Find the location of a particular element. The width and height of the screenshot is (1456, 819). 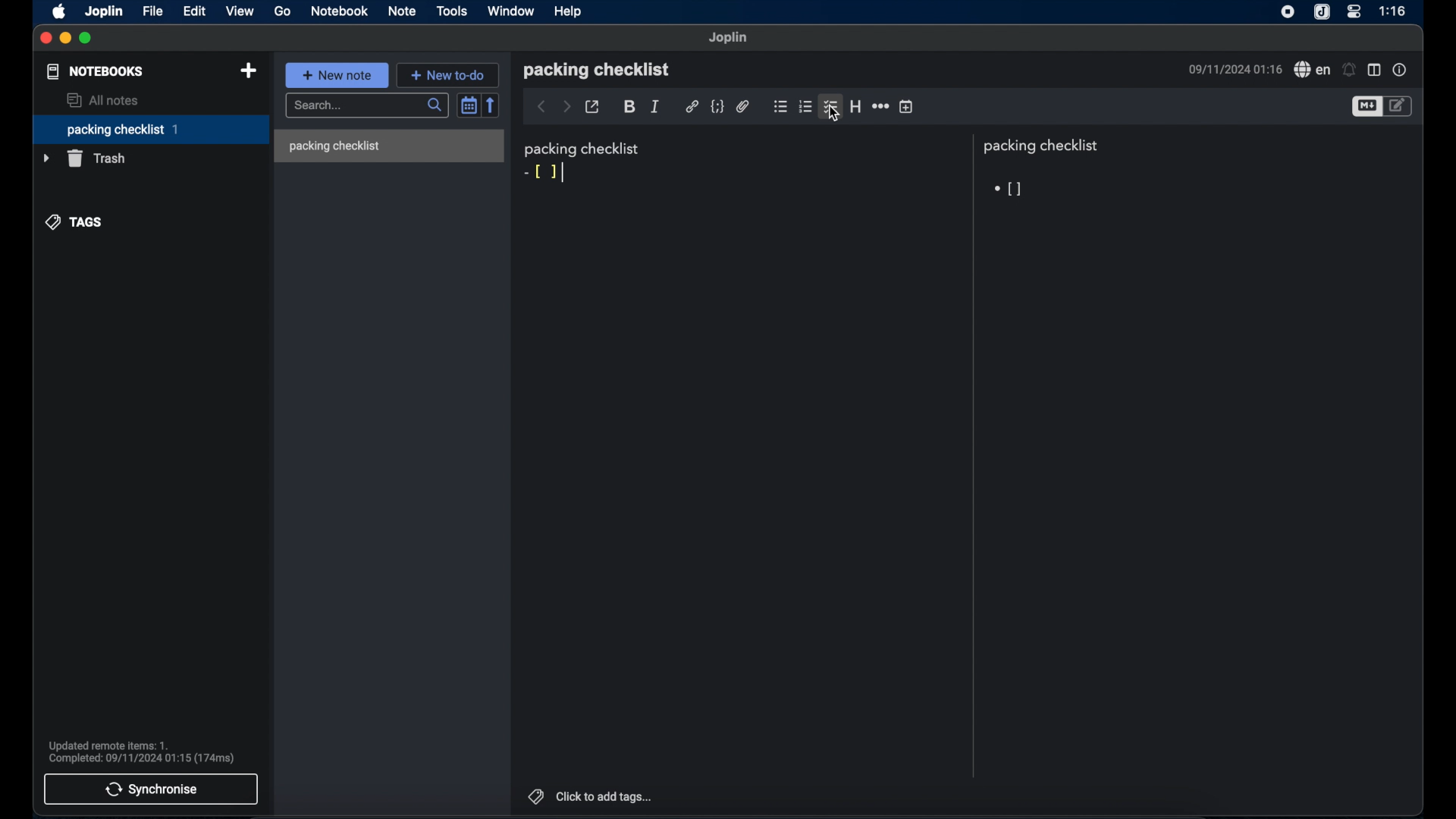

spell check is located at coordinates (1312, 70).